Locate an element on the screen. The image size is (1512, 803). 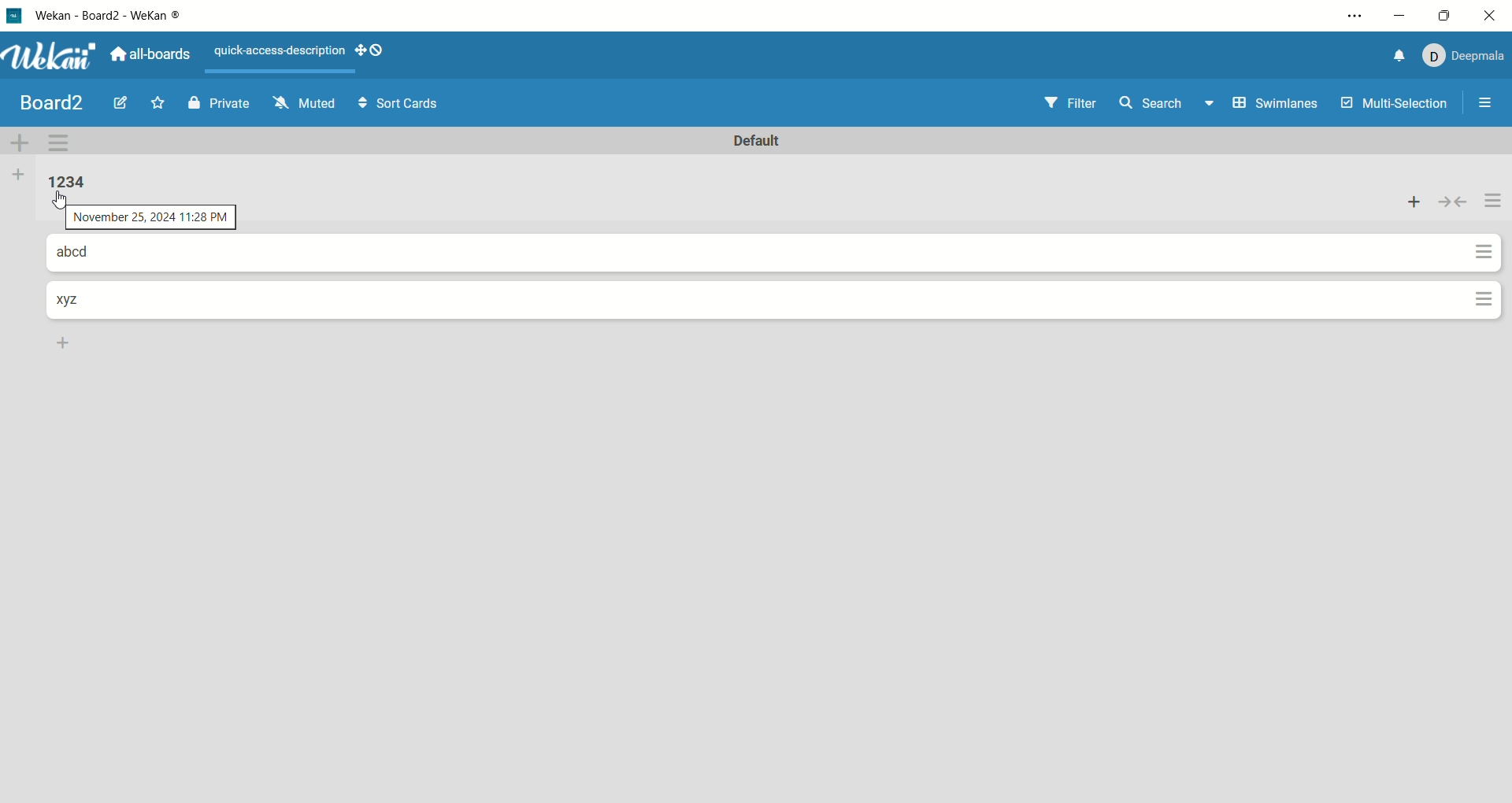
add list is located at coordinates (17, 176).